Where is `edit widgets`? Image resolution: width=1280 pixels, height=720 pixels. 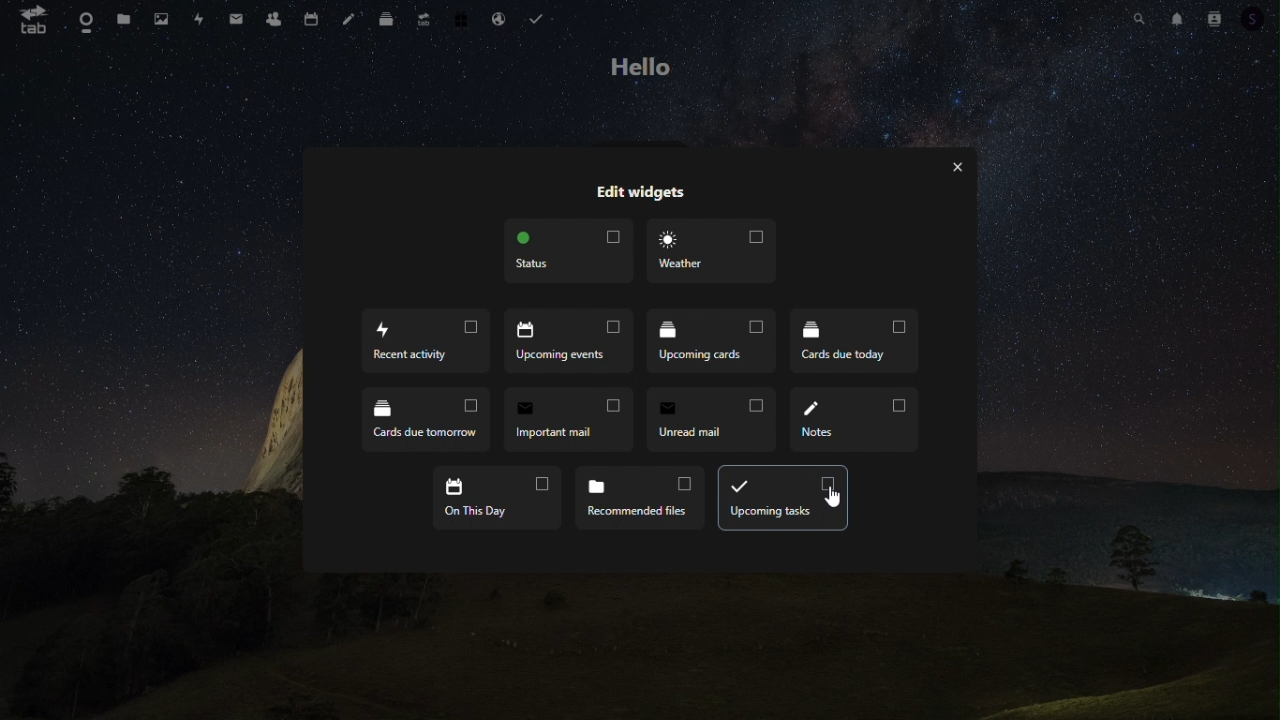 edit widgets is located at coordinates (635, 195).